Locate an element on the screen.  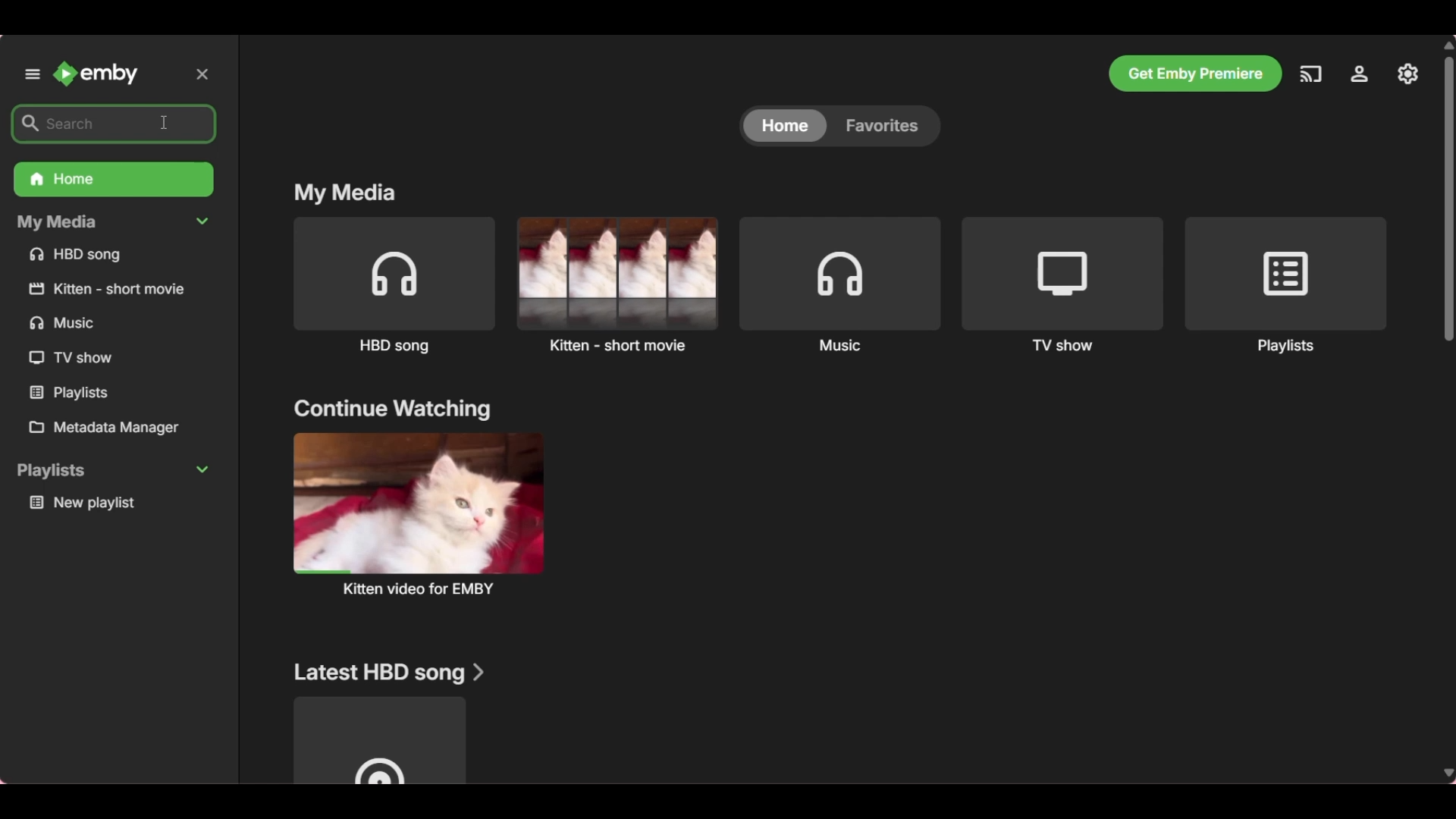
cursor is located at coordinates (165, 119).